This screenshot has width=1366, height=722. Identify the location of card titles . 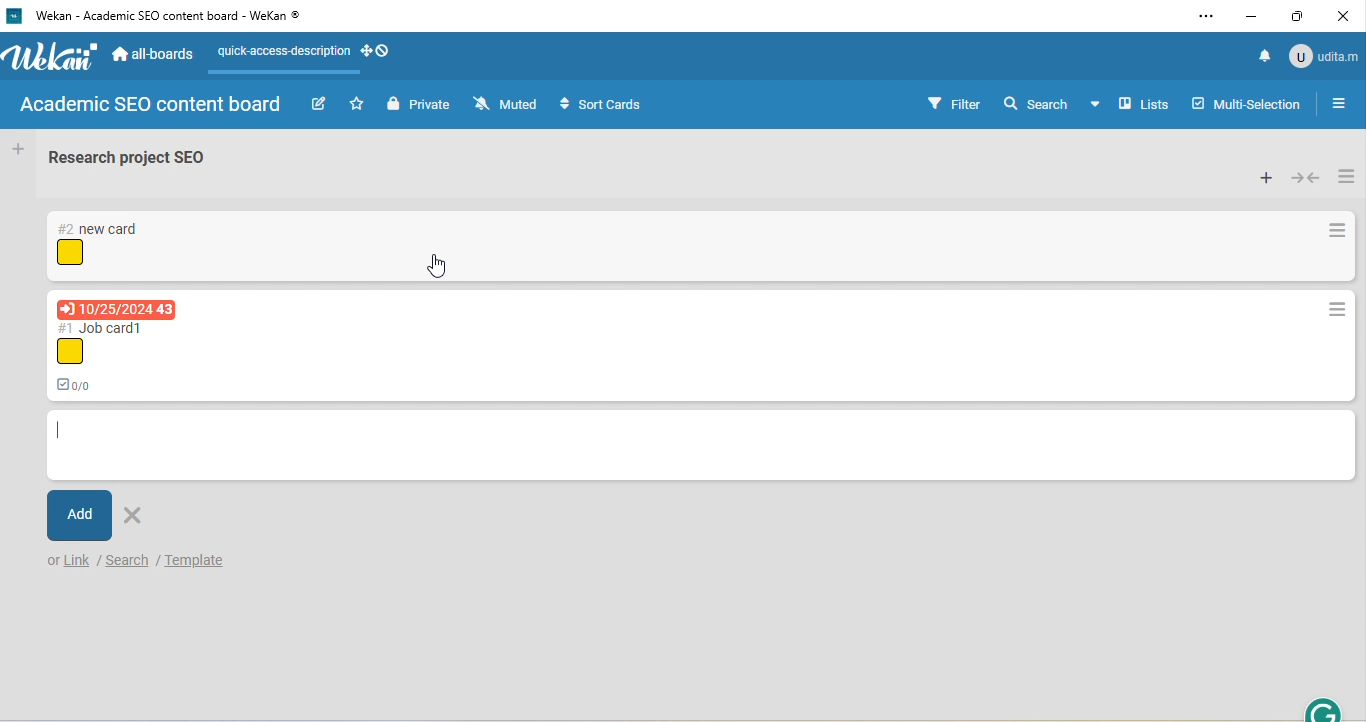
(104, 327).